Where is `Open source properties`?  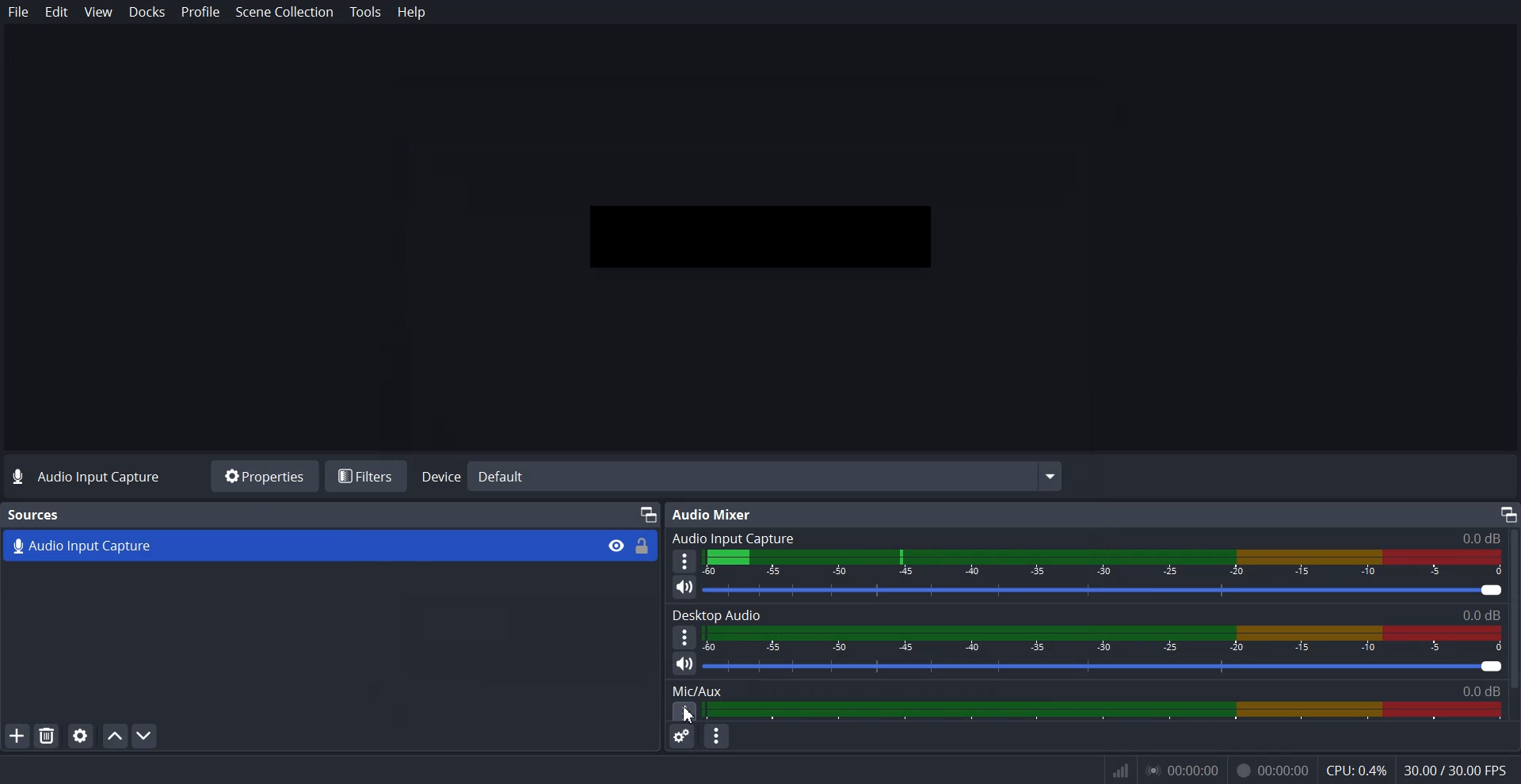 Open source properties is located at coordinates (79, 736).